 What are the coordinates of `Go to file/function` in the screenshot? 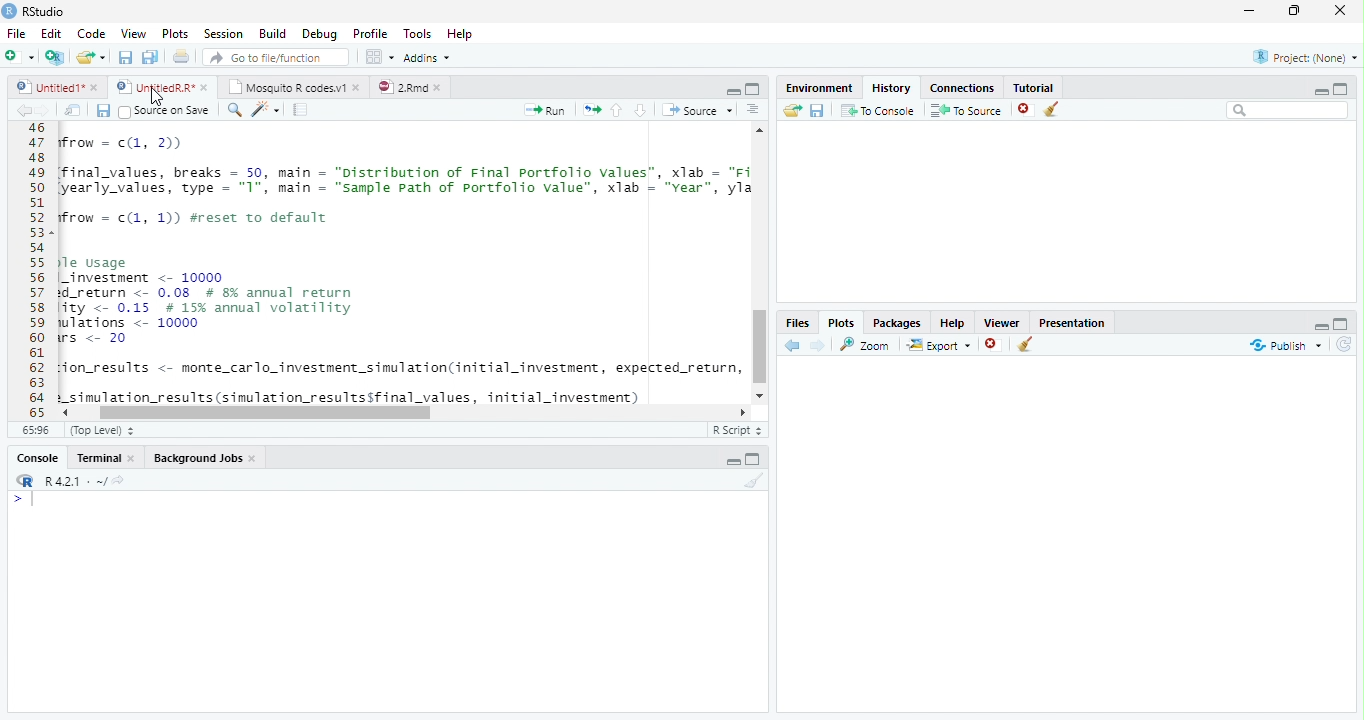 It's located at (274, 57).